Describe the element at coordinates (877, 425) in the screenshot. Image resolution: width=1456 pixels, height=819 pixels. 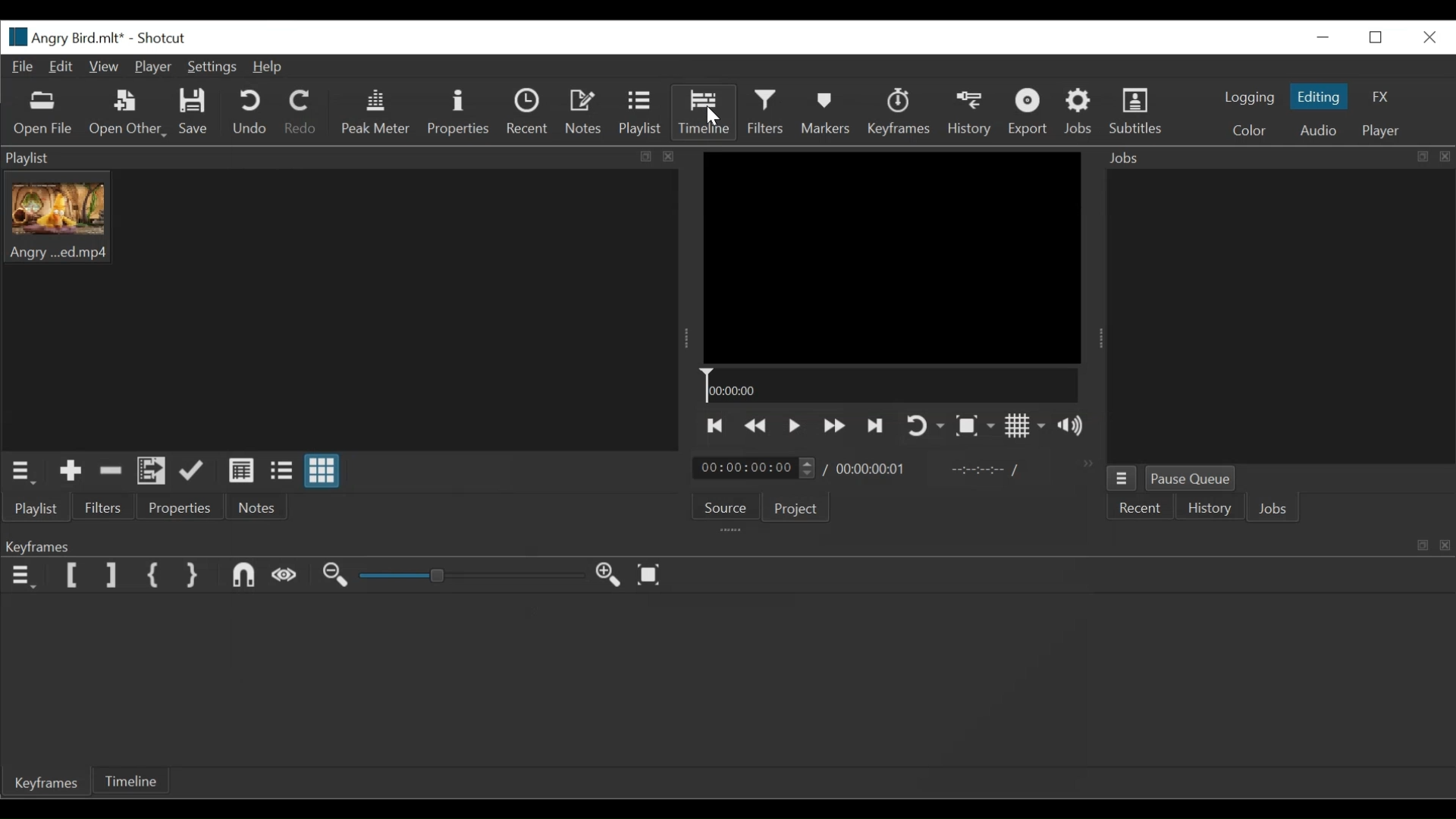
I see `Play the next point quickly` at that location.